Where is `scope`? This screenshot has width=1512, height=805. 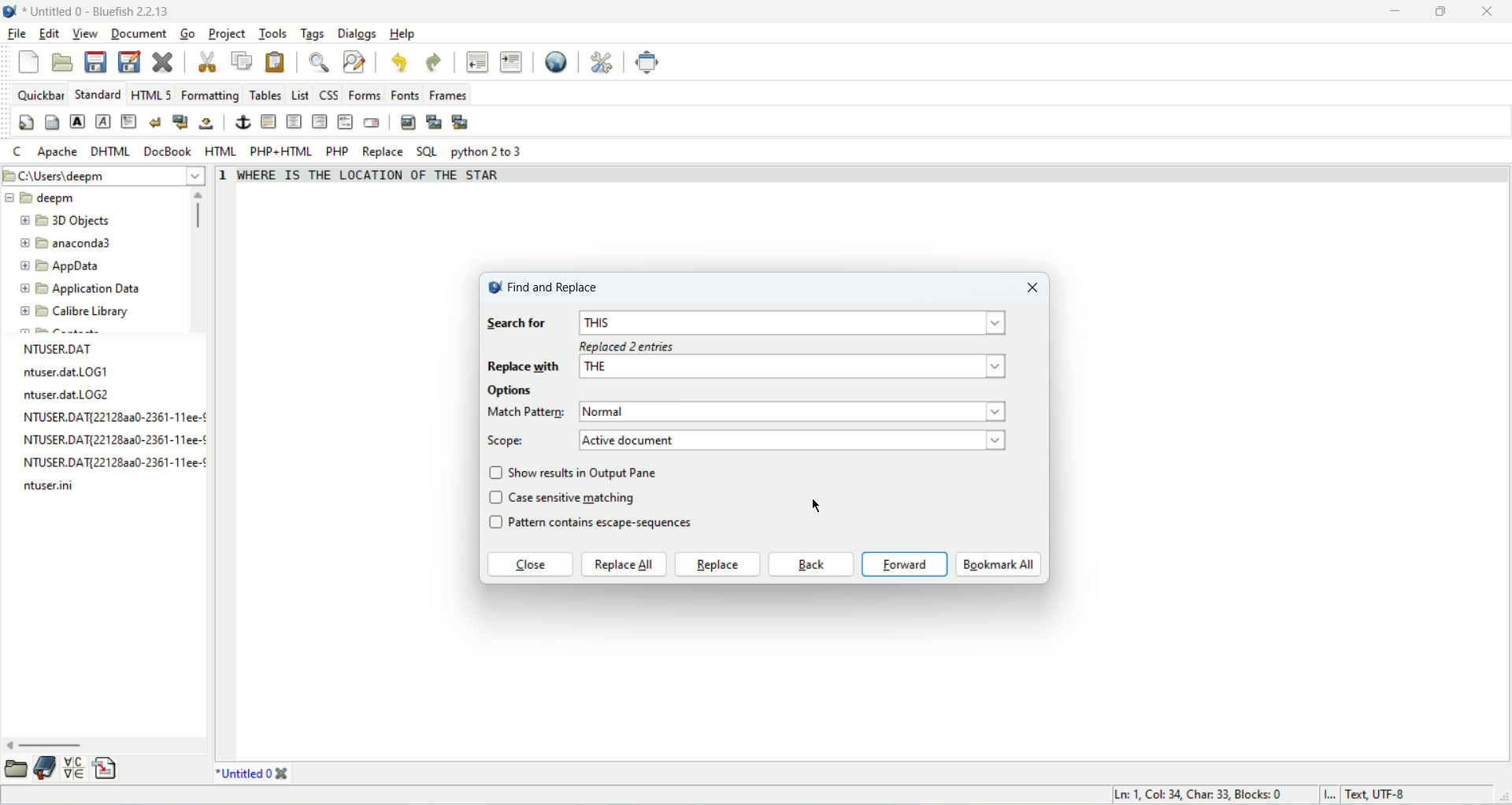 scope is located at coordinates (509, 441).